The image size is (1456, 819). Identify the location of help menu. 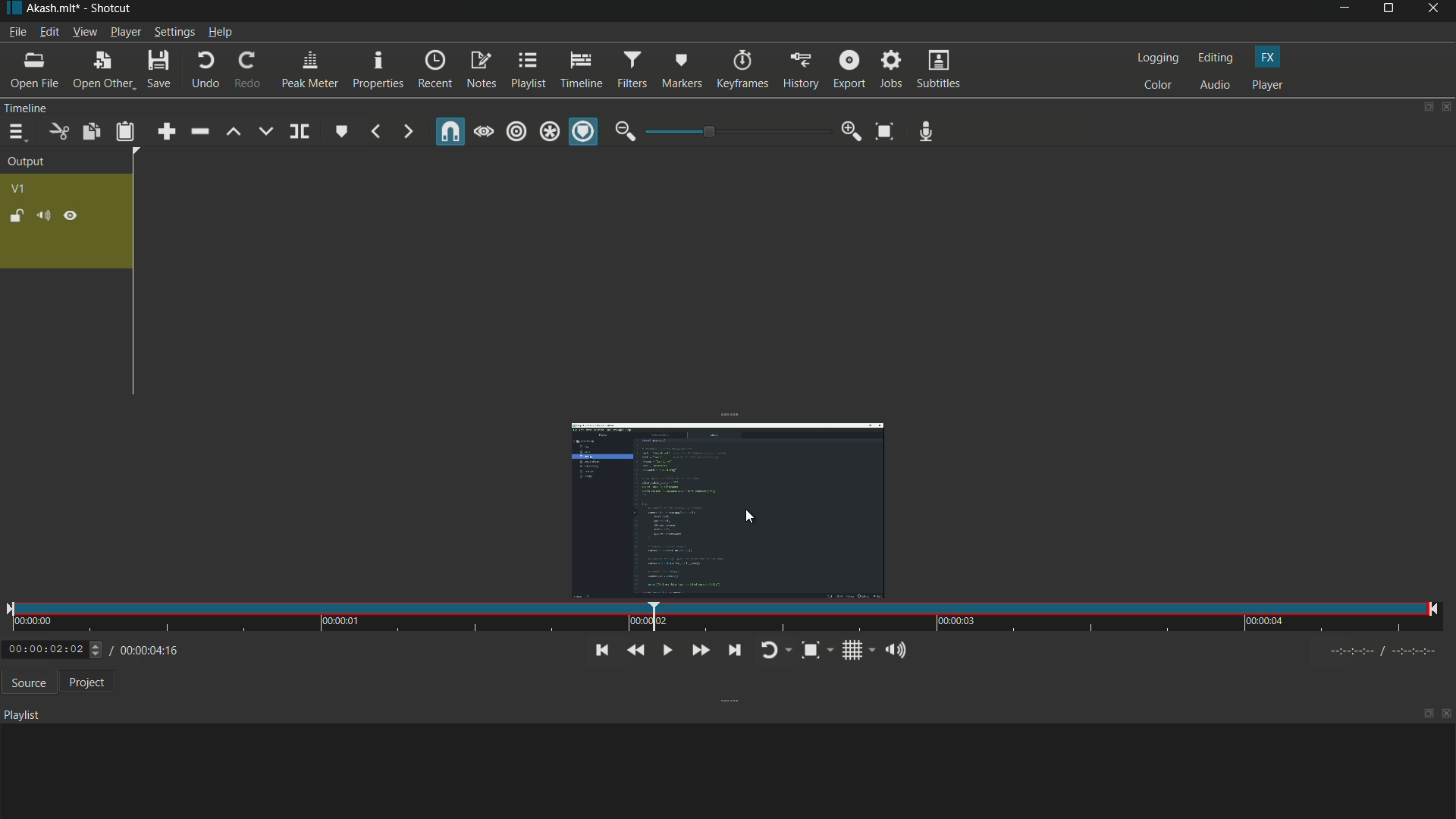
(221, 32).